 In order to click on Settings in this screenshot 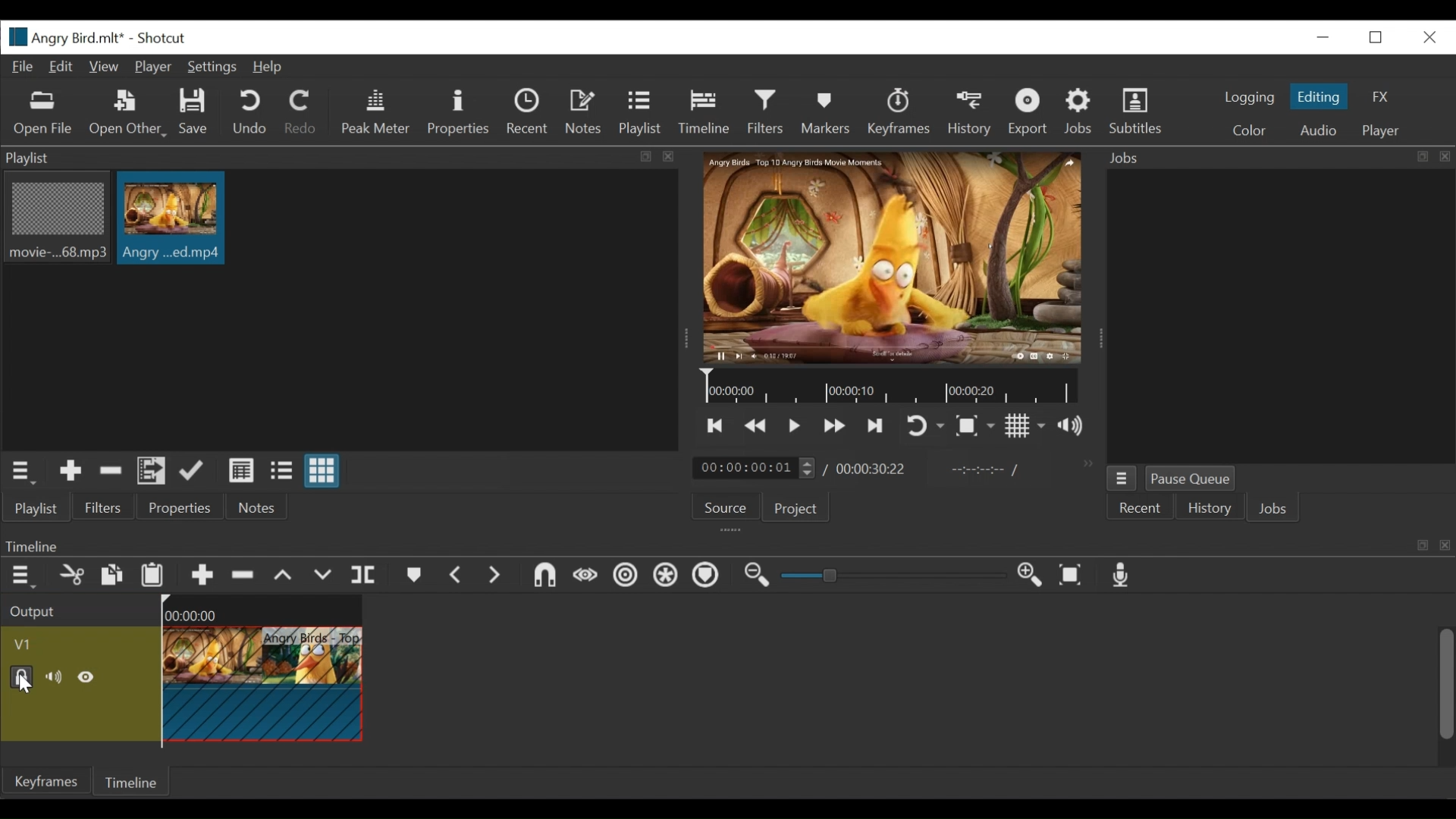, I will do `click(212, 67)`.